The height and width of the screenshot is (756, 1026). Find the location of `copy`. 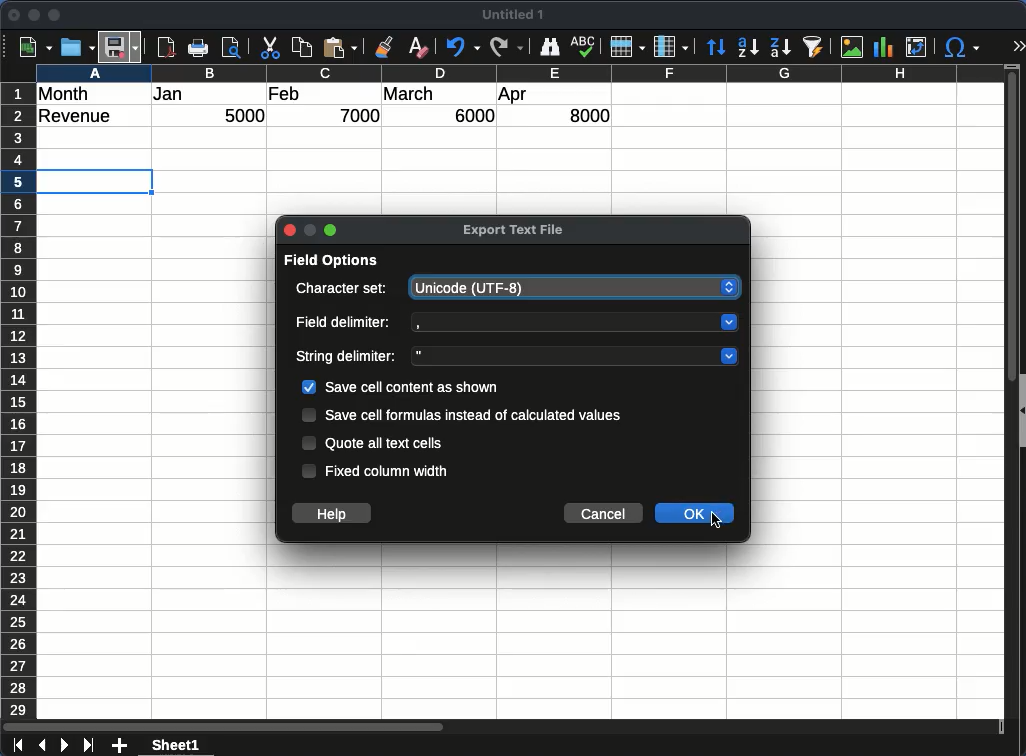

copy is located at coordinates (303, 48).